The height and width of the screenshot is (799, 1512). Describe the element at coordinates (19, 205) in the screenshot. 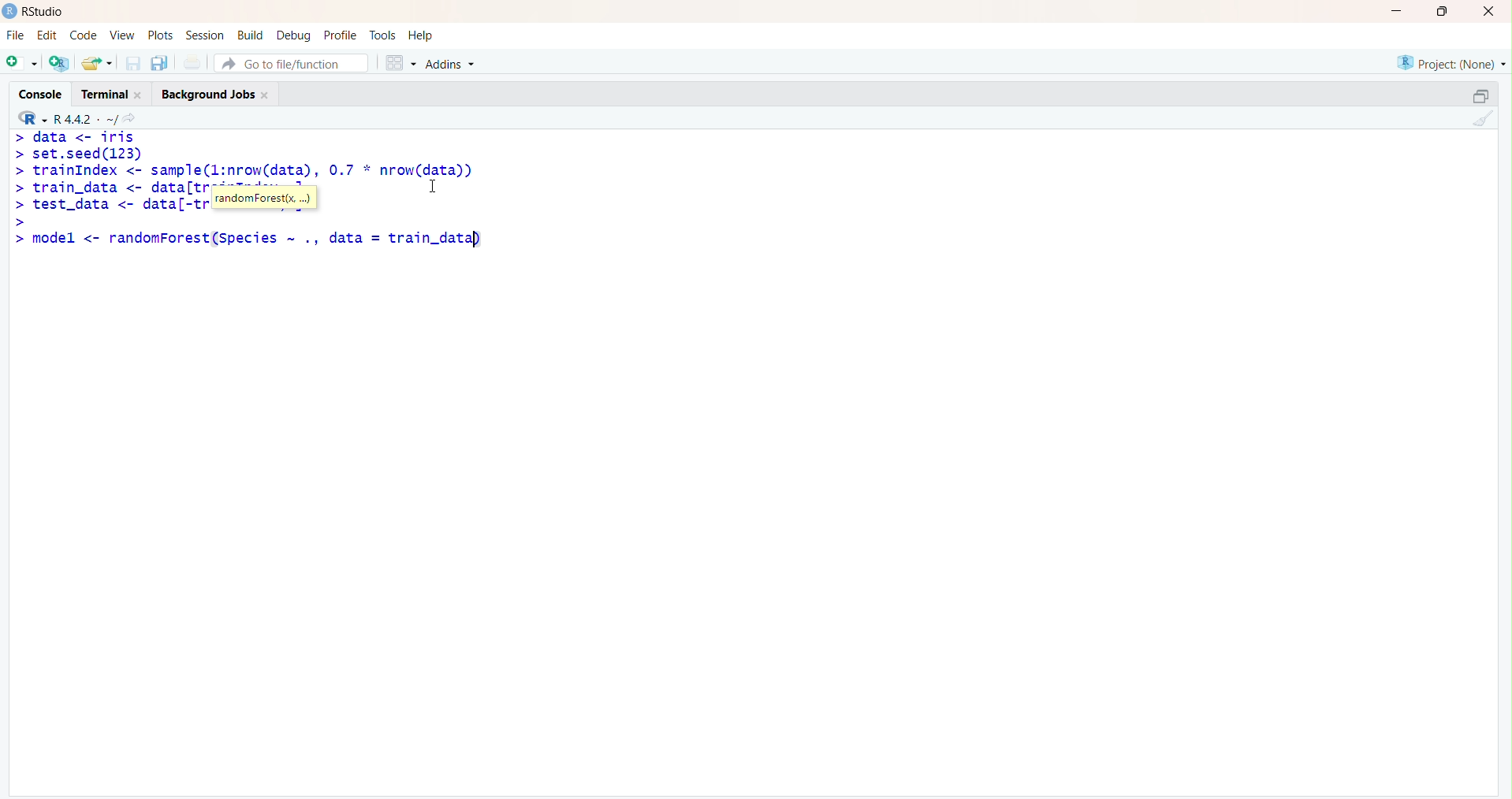

I see `Prompt cursor` at that location.